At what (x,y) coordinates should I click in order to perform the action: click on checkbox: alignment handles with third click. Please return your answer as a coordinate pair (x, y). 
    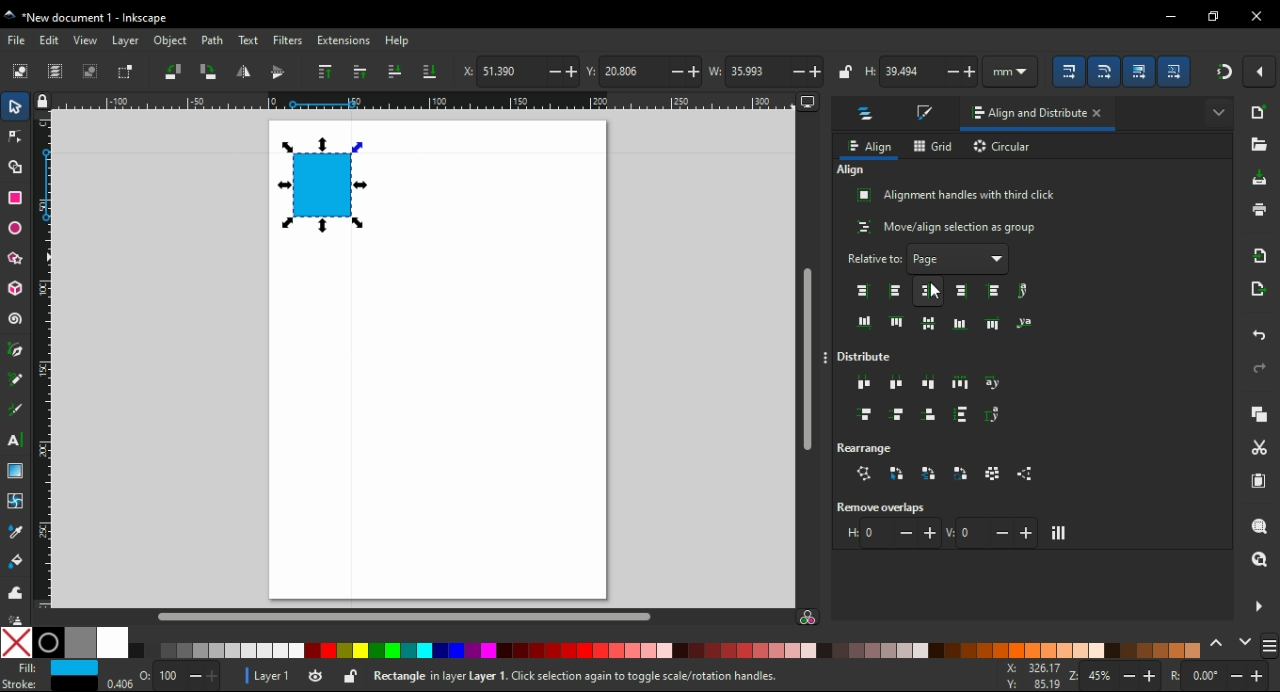
    Looking at the image, I should click on (957, 195).